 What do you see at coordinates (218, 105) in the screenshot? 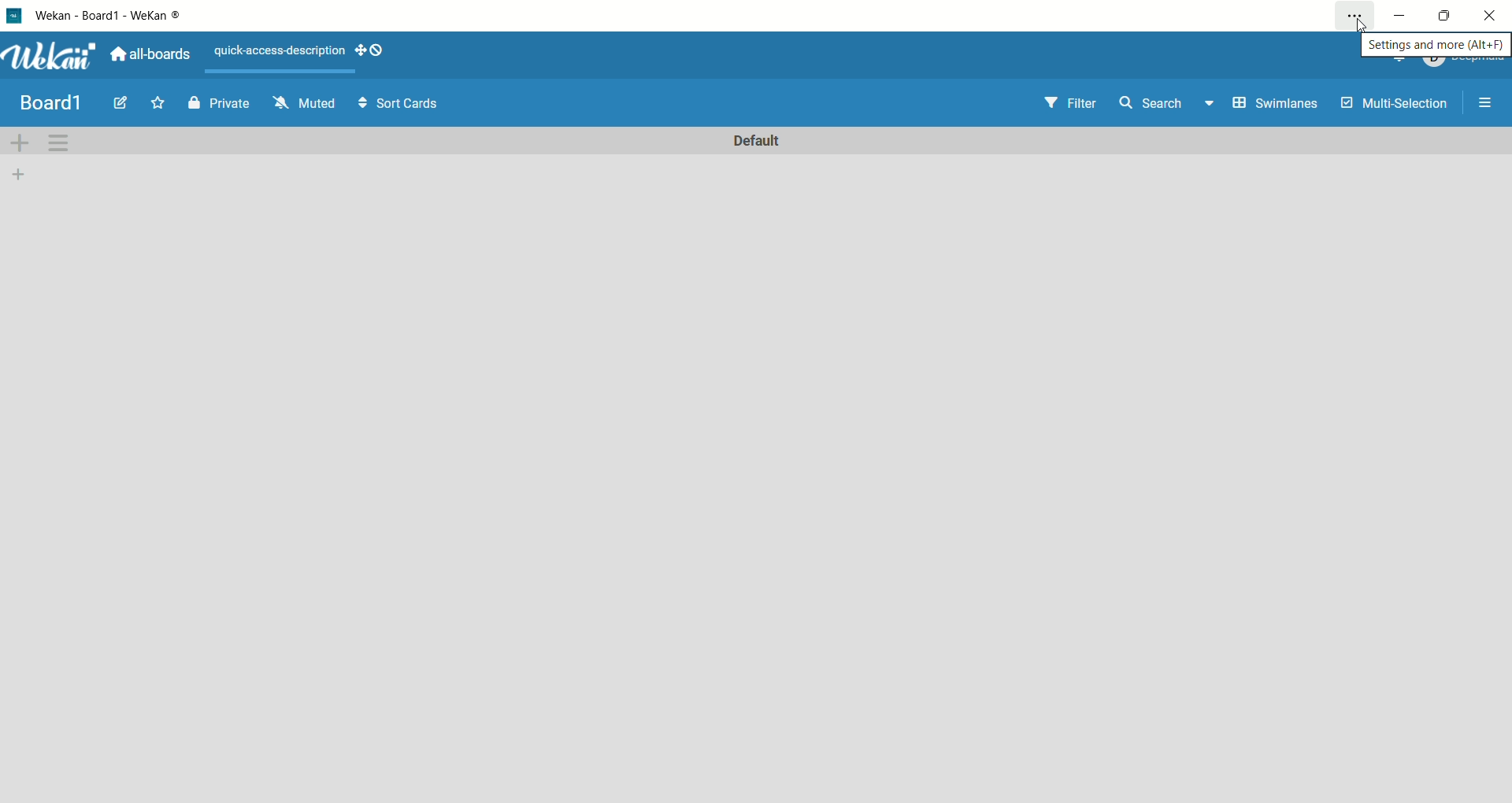
I see `private` at bounding box center [218, 105].